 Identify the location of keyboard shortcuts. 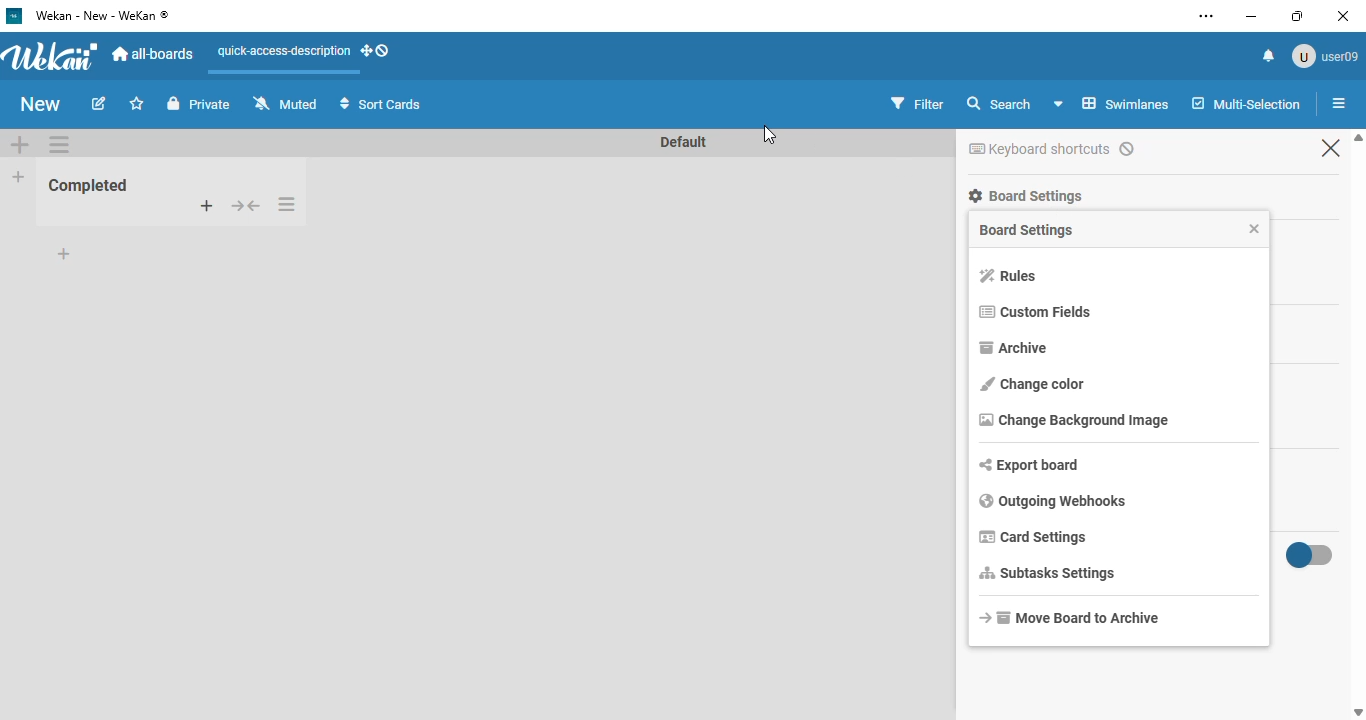
(1051, 148).